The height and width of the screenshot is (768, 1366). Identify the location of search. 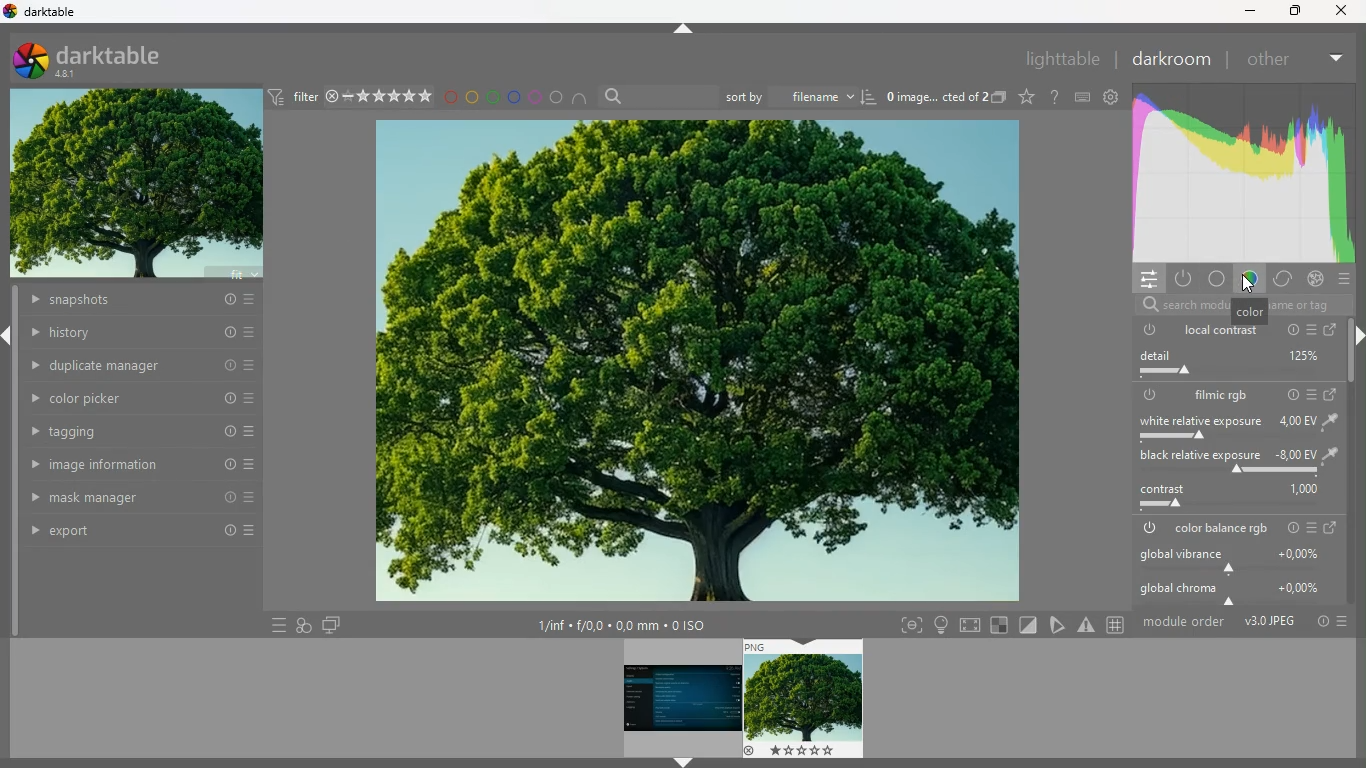
(657, 97).